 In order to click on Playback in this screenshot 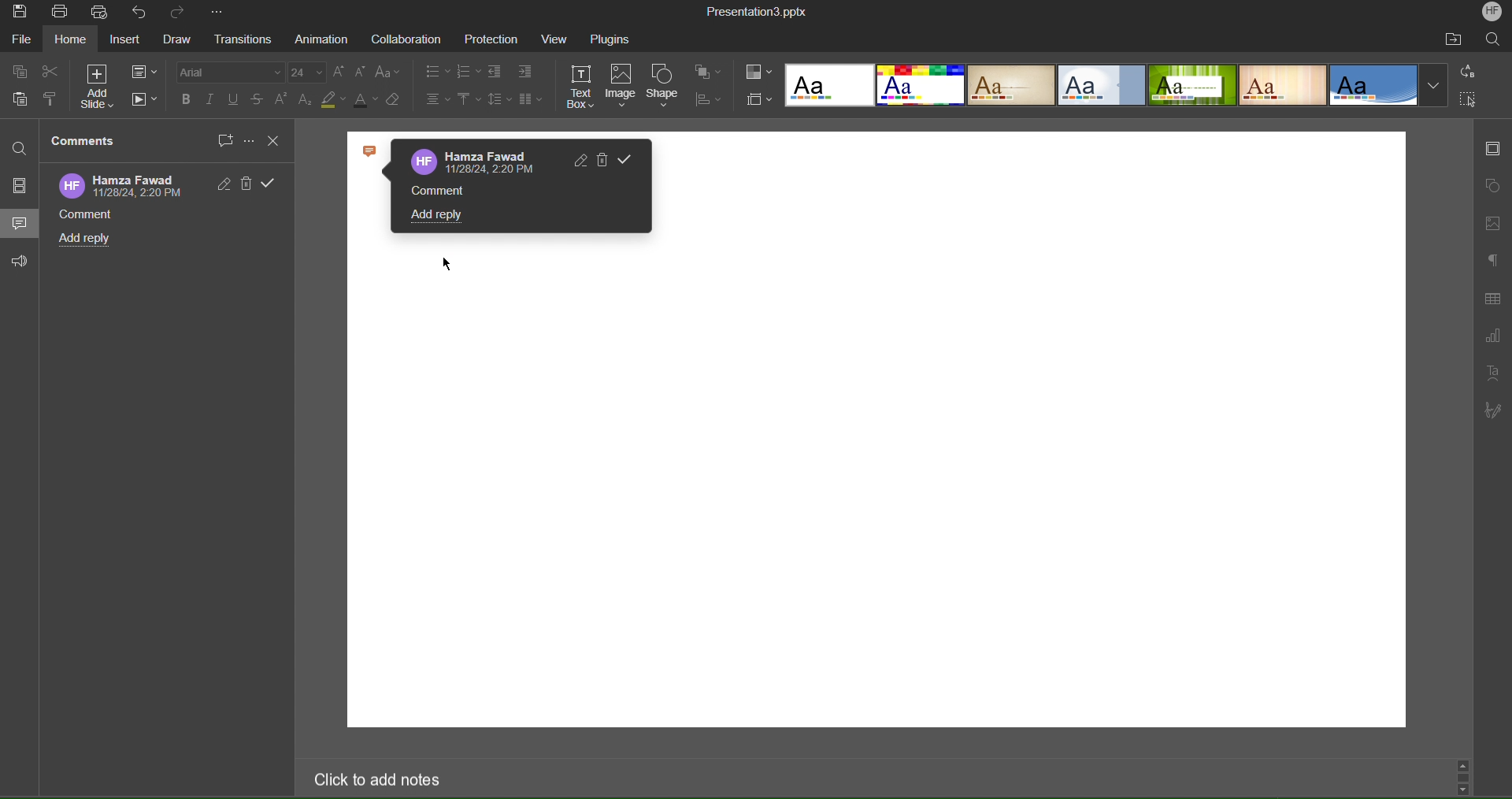, I will do `click(145, 99)`.